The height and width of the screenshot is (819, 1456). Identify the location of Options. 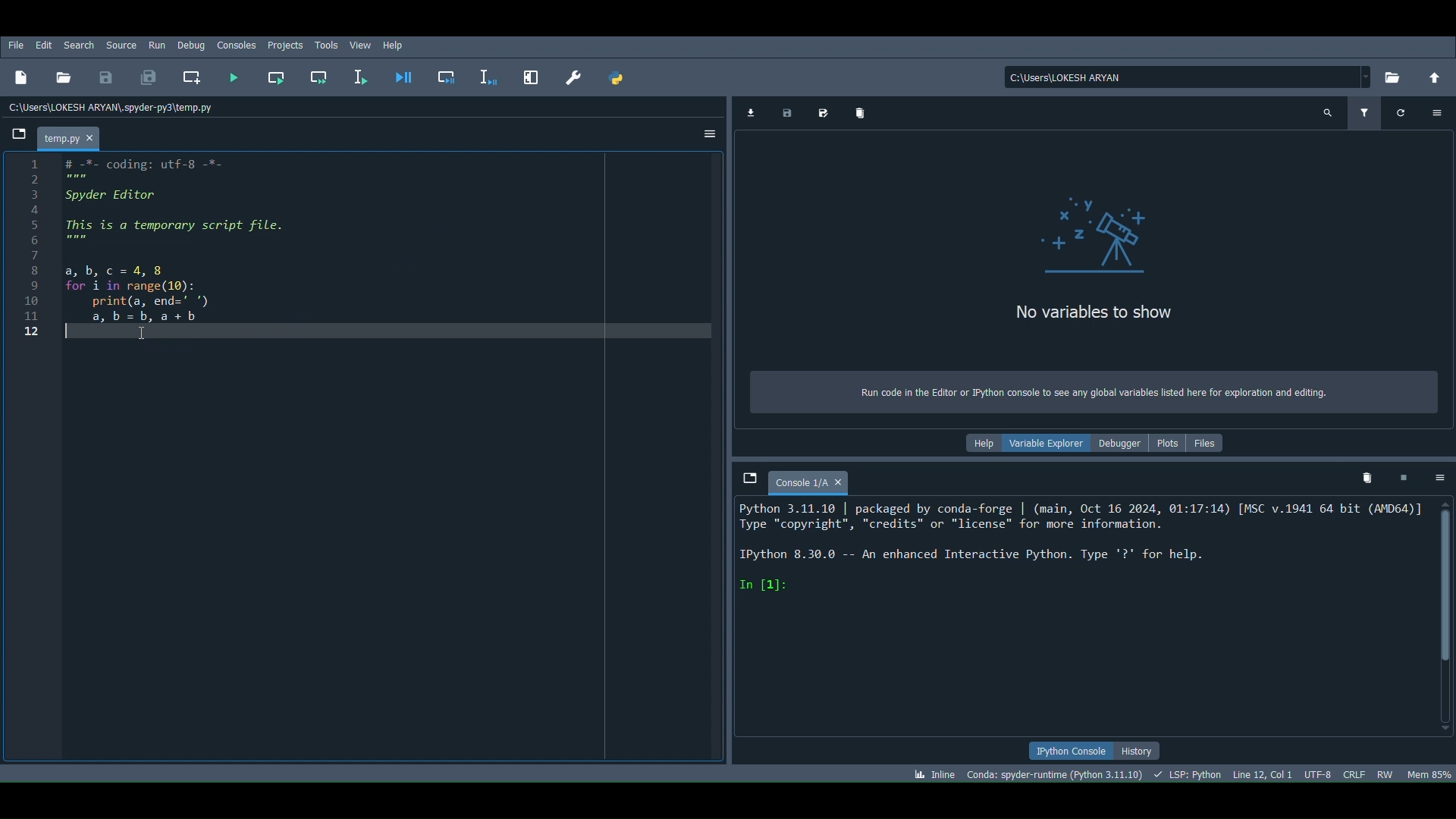
(1439, 480).